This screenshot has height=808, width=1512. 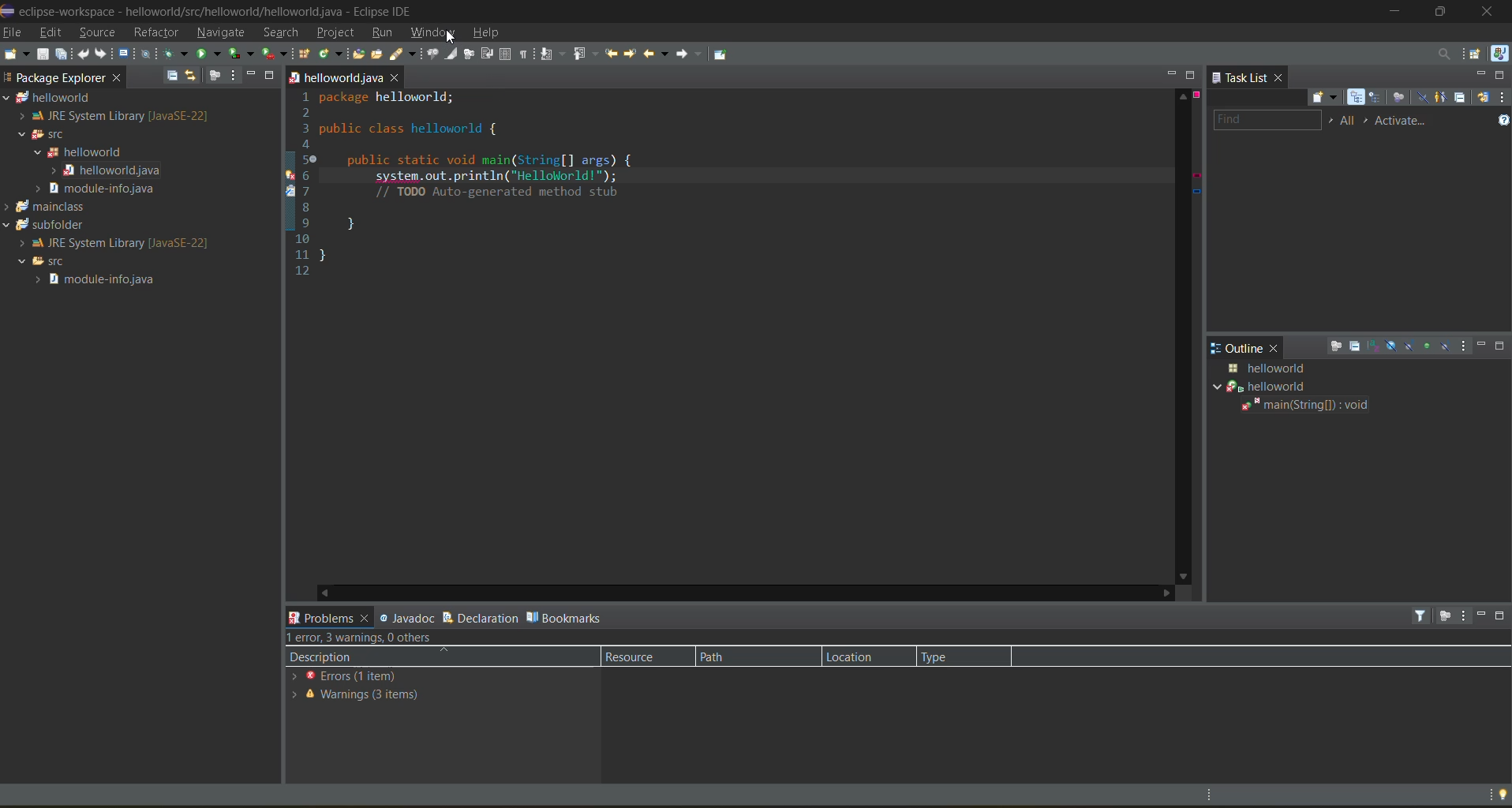 I want to click on close, so click(x=1277, y=347).